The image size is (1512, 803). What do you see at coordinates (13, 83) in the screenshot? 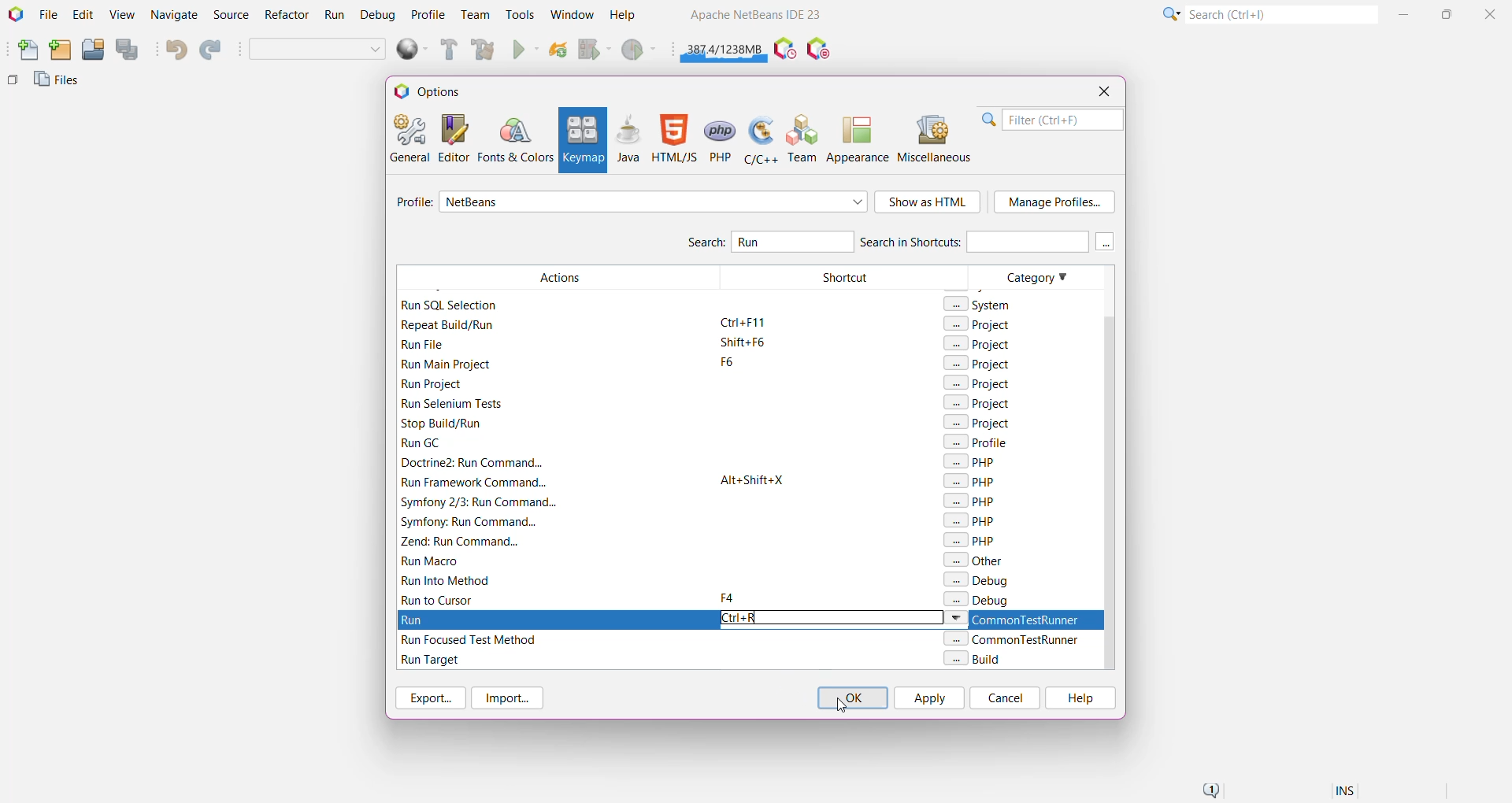
I see `` at bounding box center [13, 83].